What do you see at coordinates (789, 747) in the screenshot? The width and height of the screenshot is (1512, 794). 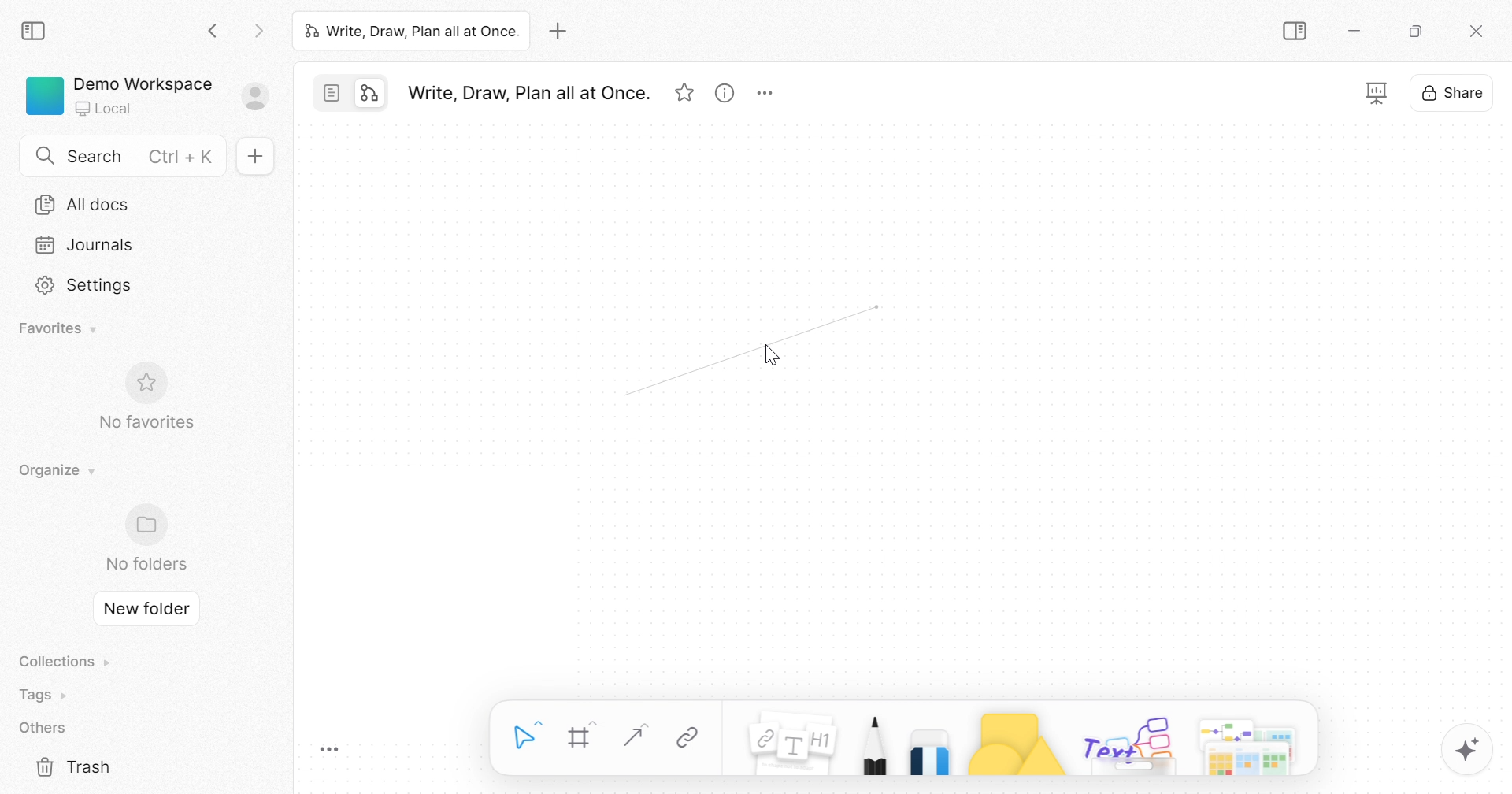 I see `Note` at bounding box center [789, 747].